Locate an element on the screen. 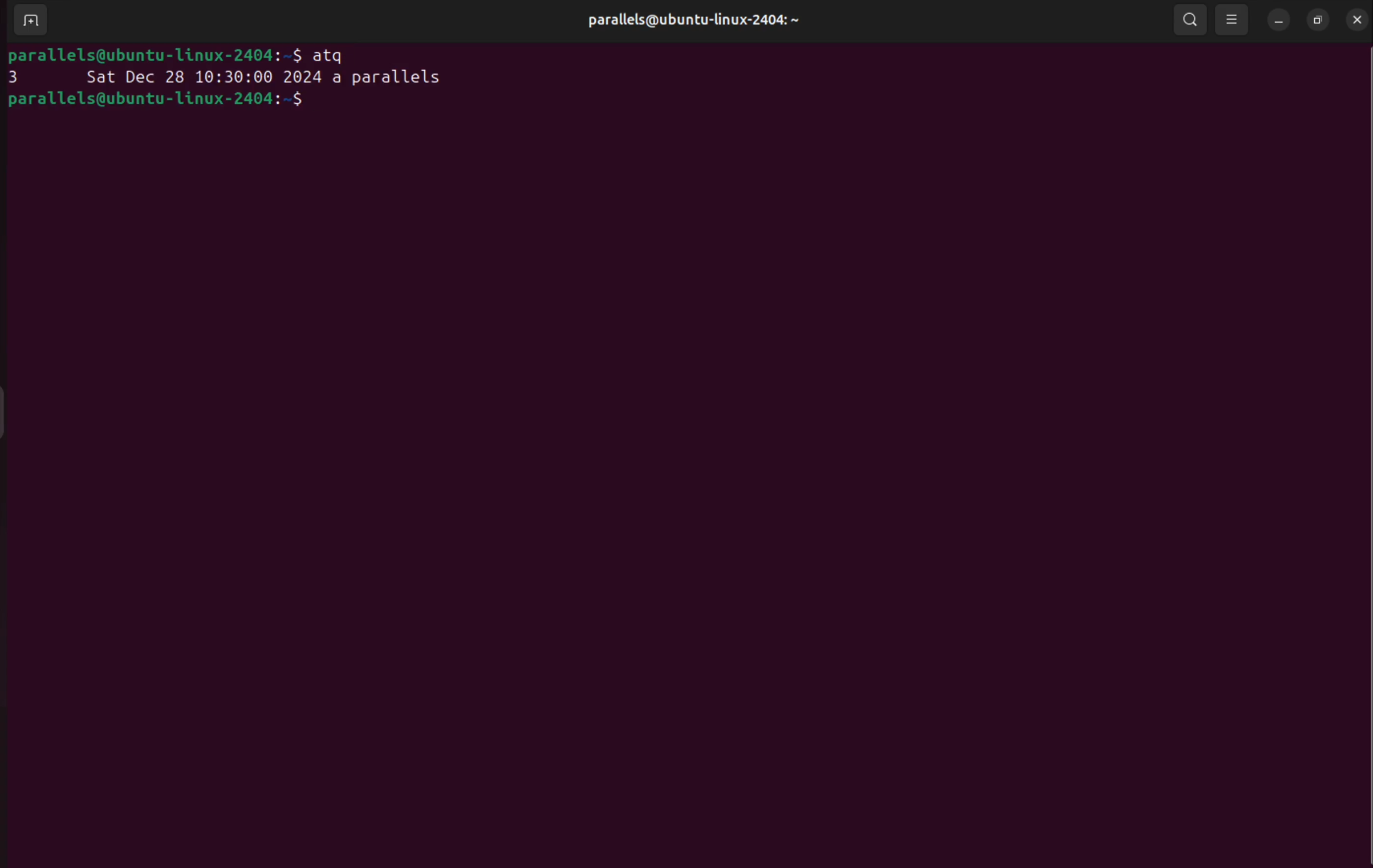  close is located at coordinates (1359, 20).